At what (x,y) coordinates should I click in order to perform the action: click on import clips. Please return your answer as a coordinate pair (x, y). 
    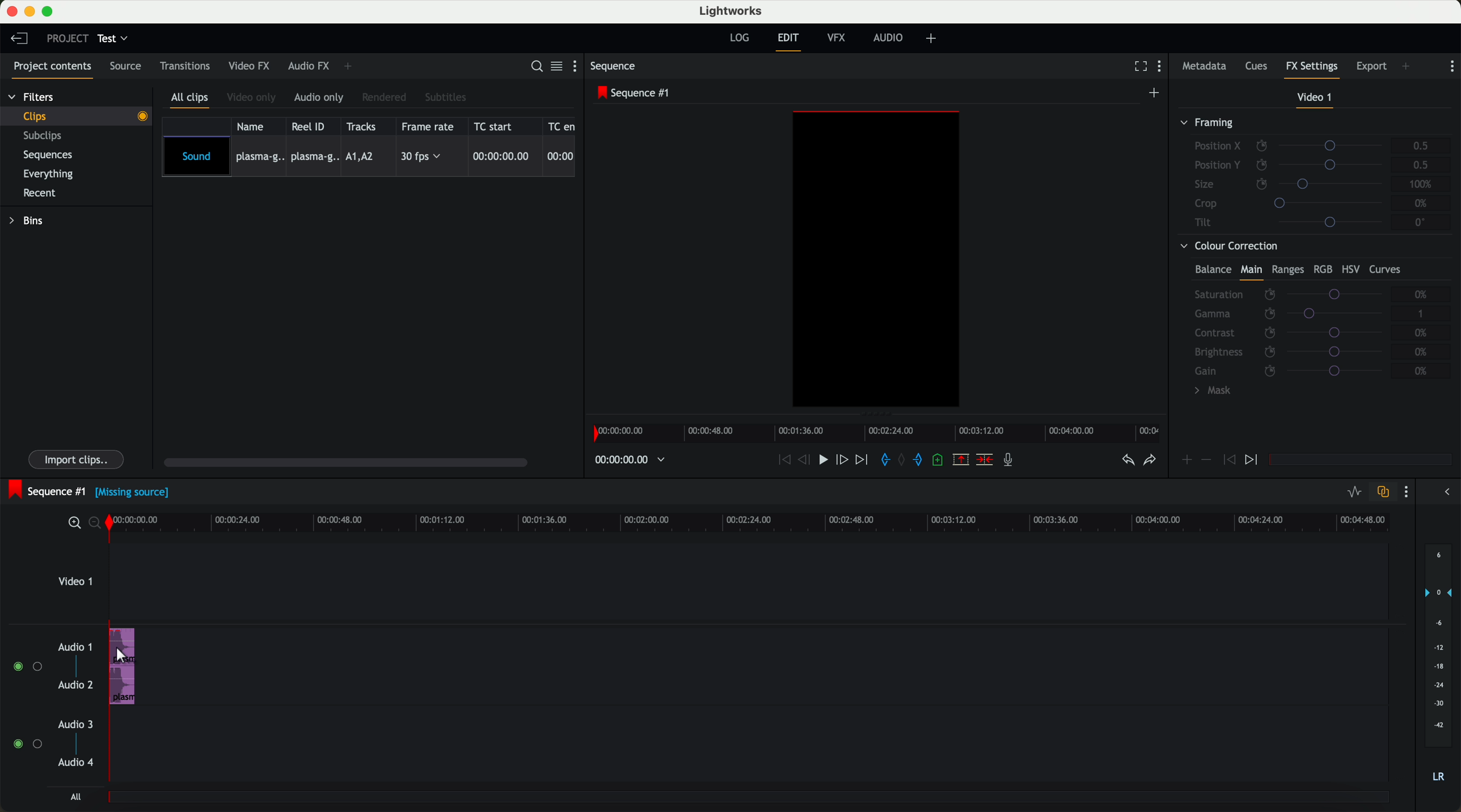
    Looking at the image, I should click on (78, 458).